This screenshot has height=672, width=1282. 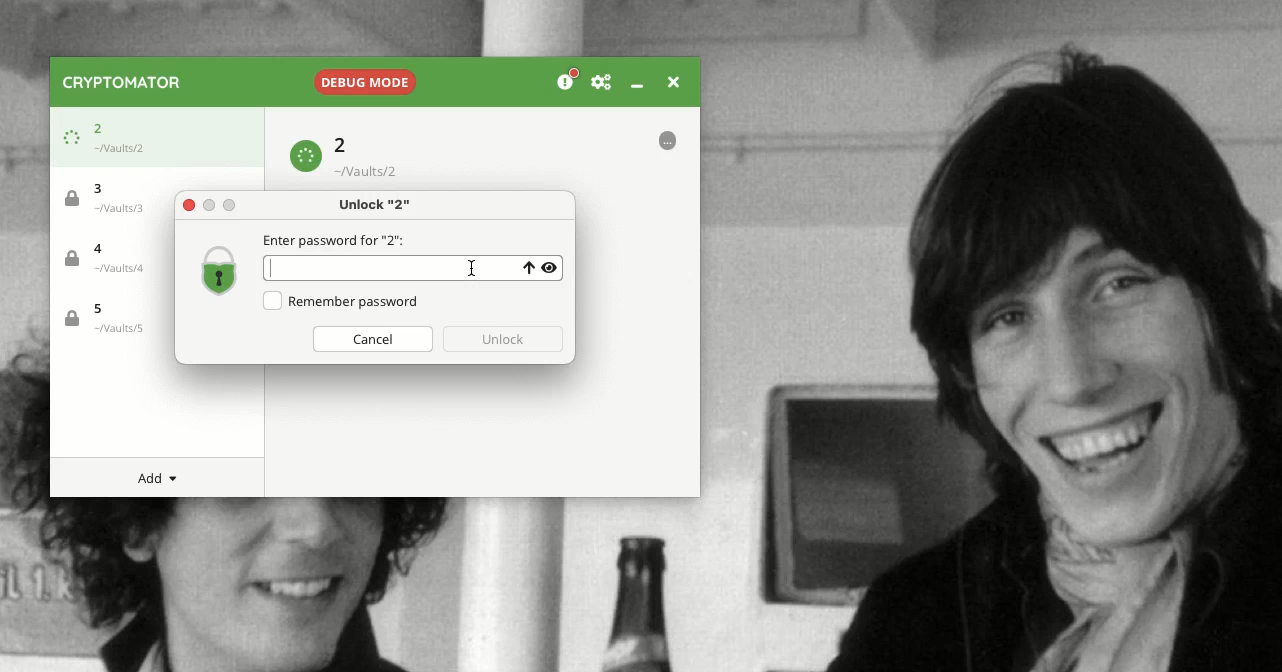 I want to click on Vault 2, so click(x=375, y=157).